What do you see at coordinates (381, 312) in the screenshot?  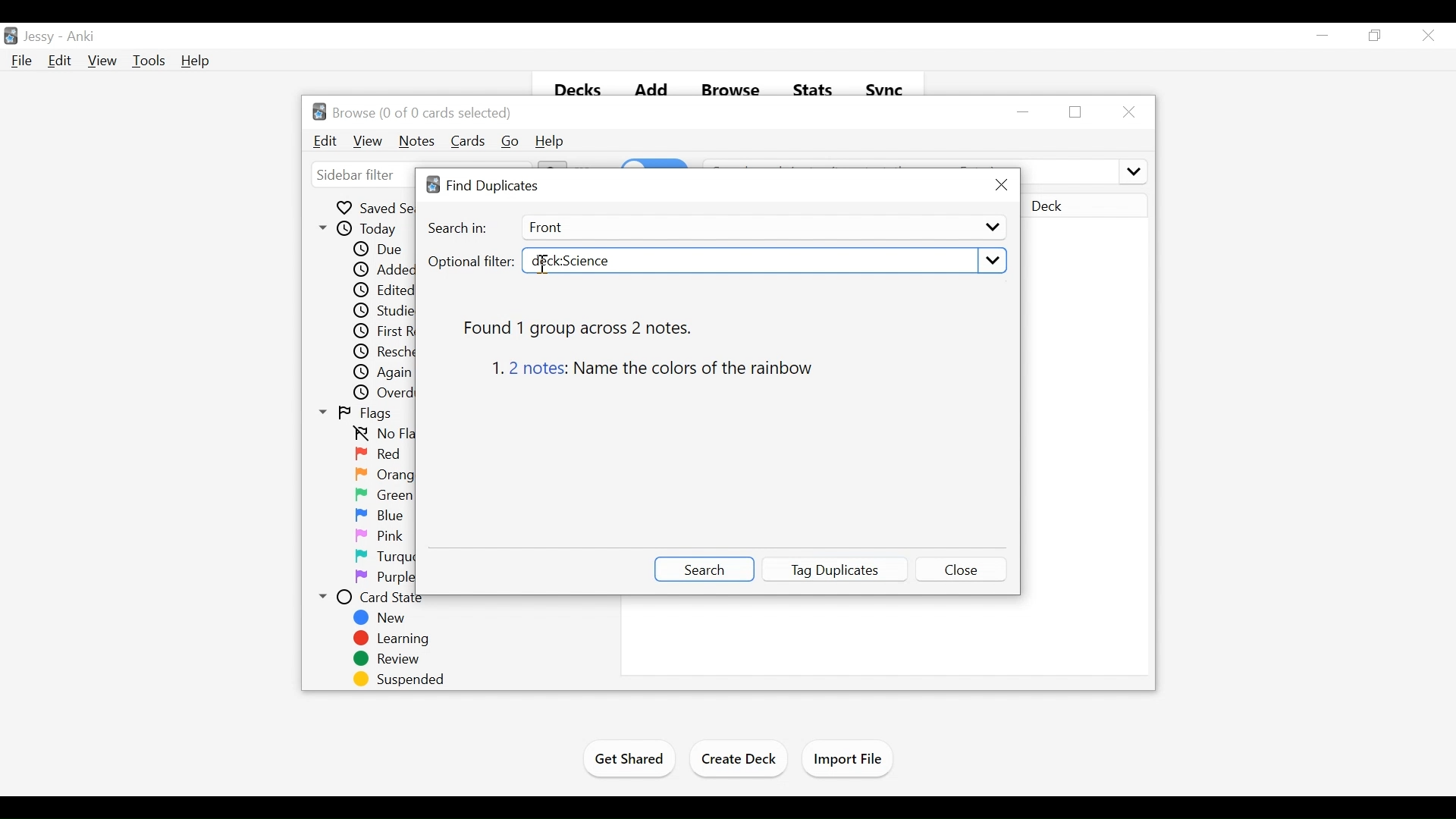 I see `Studied` at bounding box center [381, 312].